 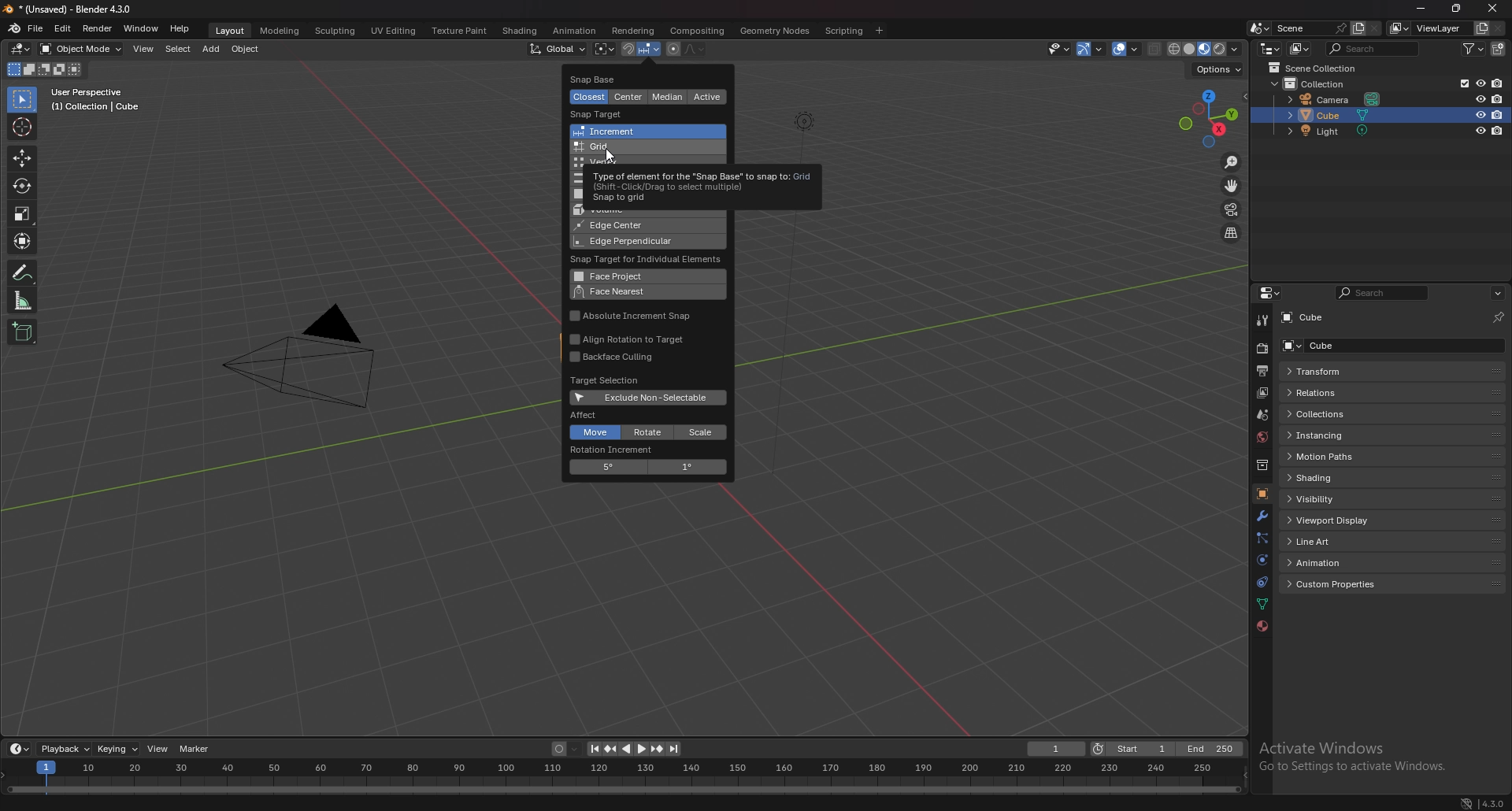 I want to click on minimize, so click(x=1421, y=8).